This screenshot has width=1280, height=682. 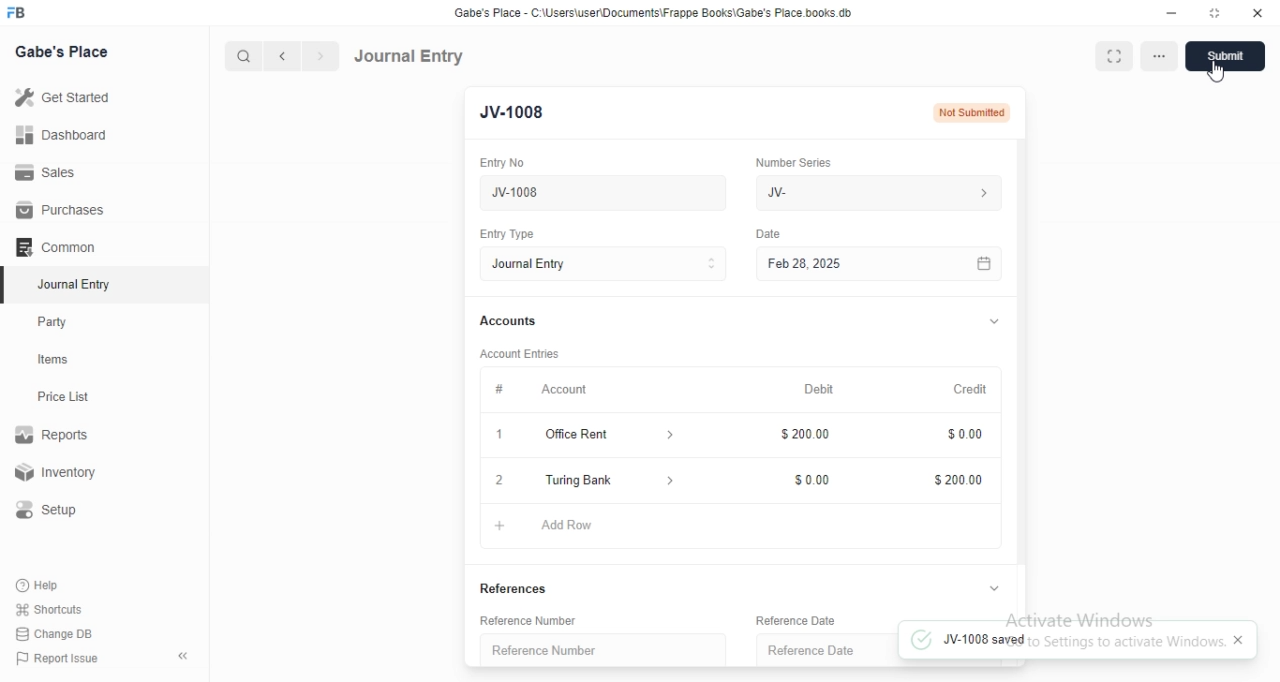 What do you see at coordinates (771, 233) in the screenshot?
I see `Date` at bounding box center [771, 233].